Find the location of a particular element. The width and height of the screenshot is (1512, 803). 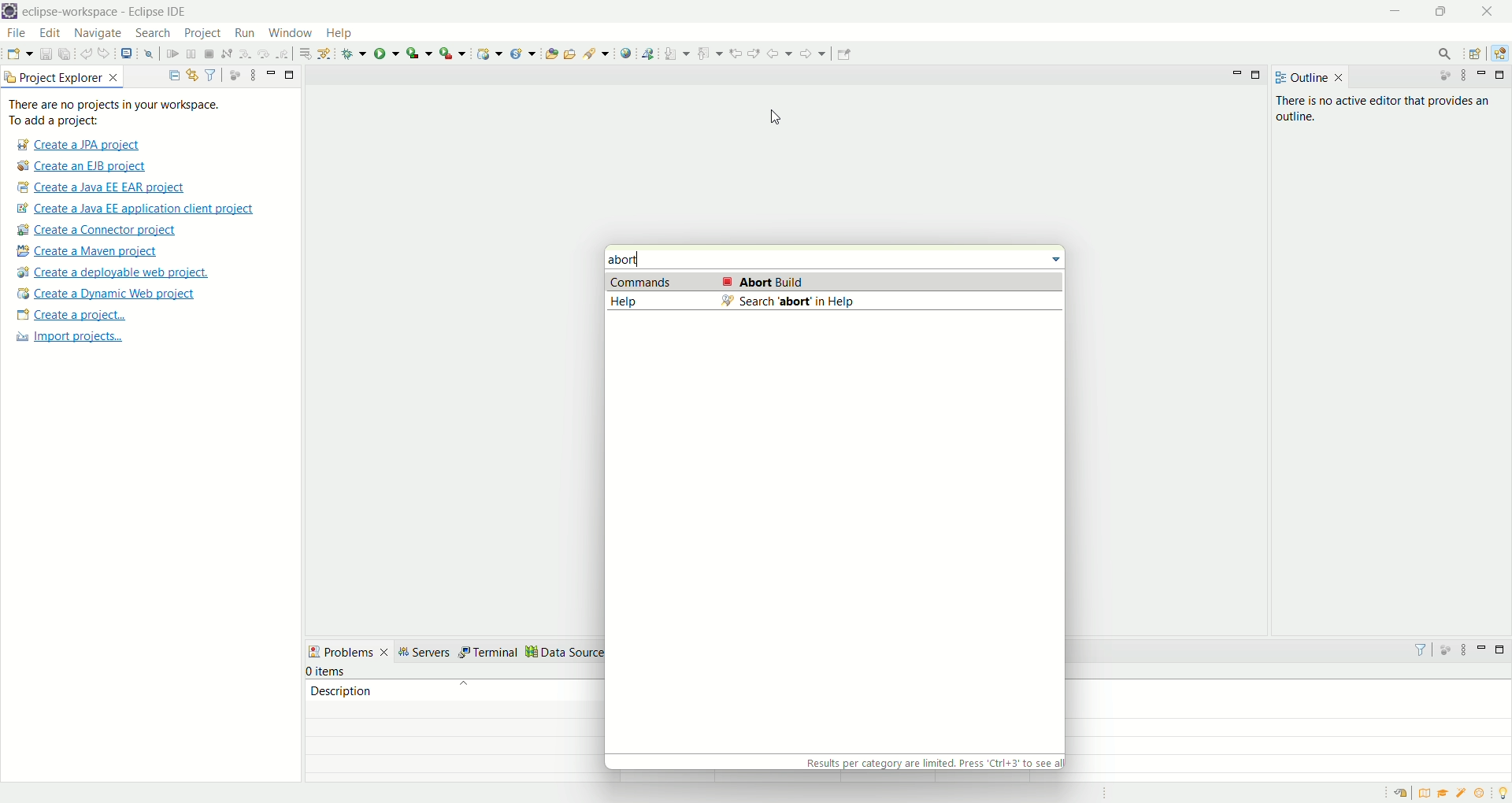

coverage is located at coordinates (419, 54).